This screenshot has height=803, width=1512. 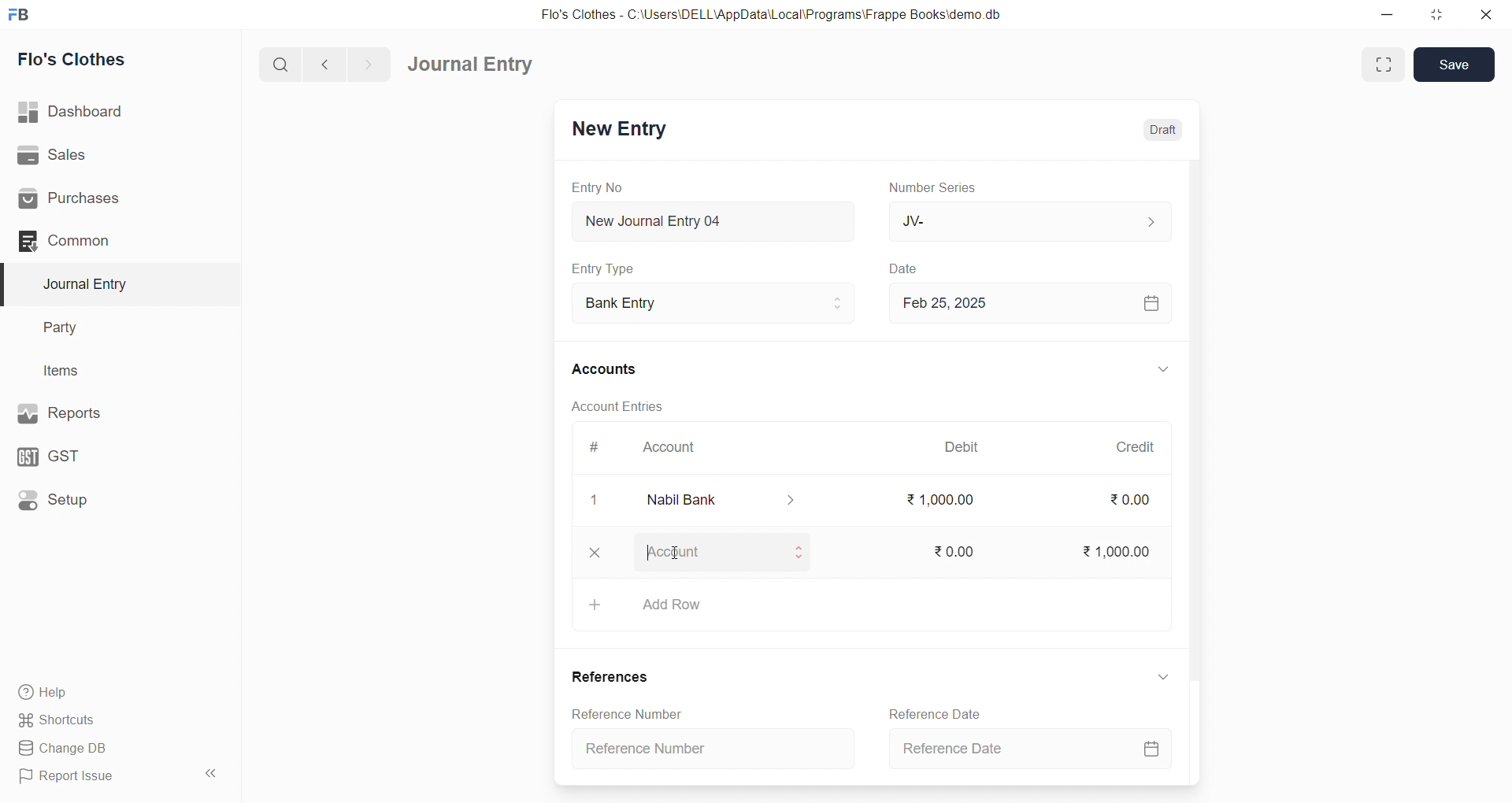 What do you see at coordinates (1128, 503) in the screenshot?
I see `₹ 0.00` at bounding box center [1128, 503].